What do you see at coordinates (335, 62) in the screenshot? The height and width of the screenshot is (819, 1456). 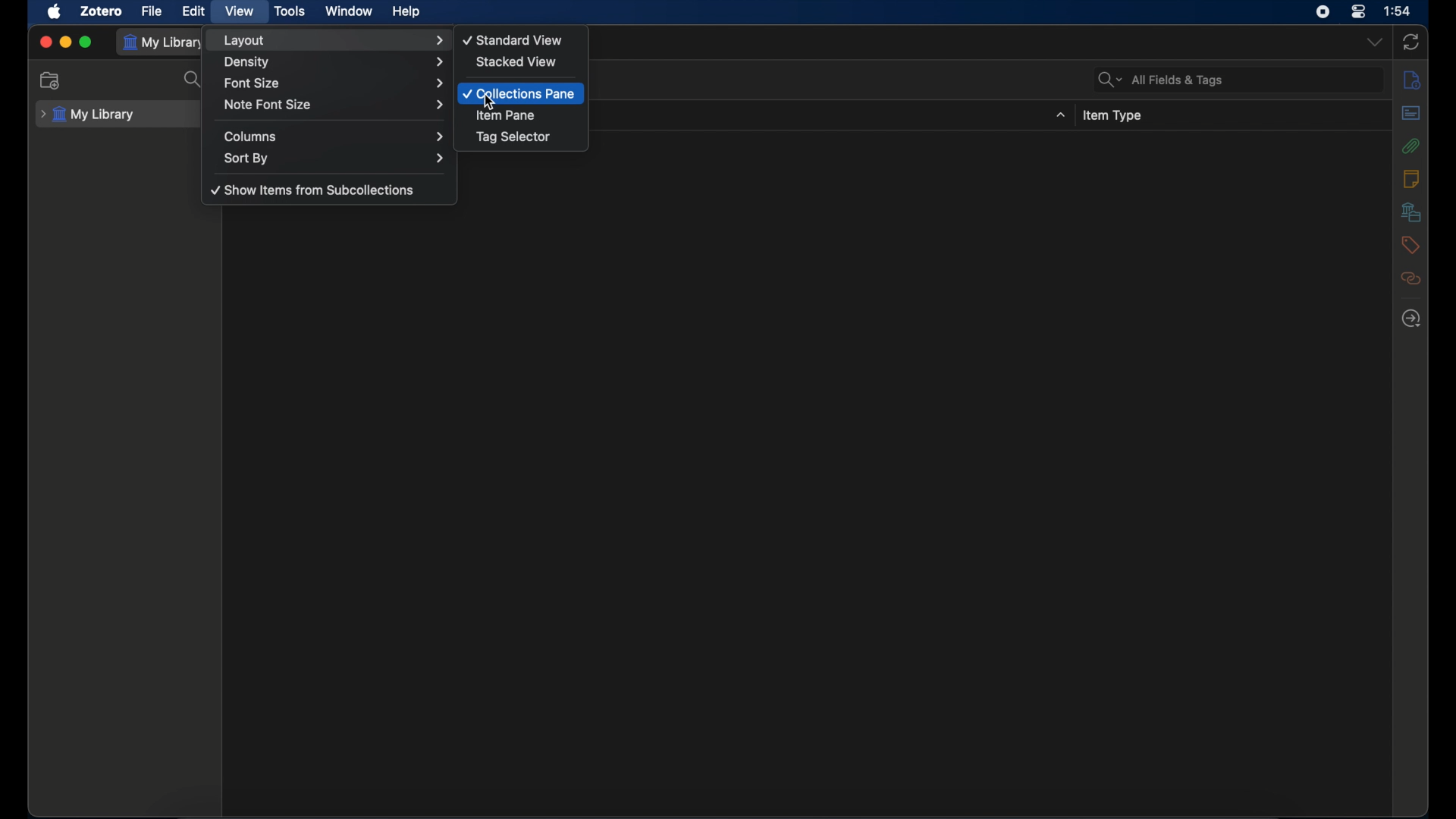 I see `density` at bounding box center [335, 62].